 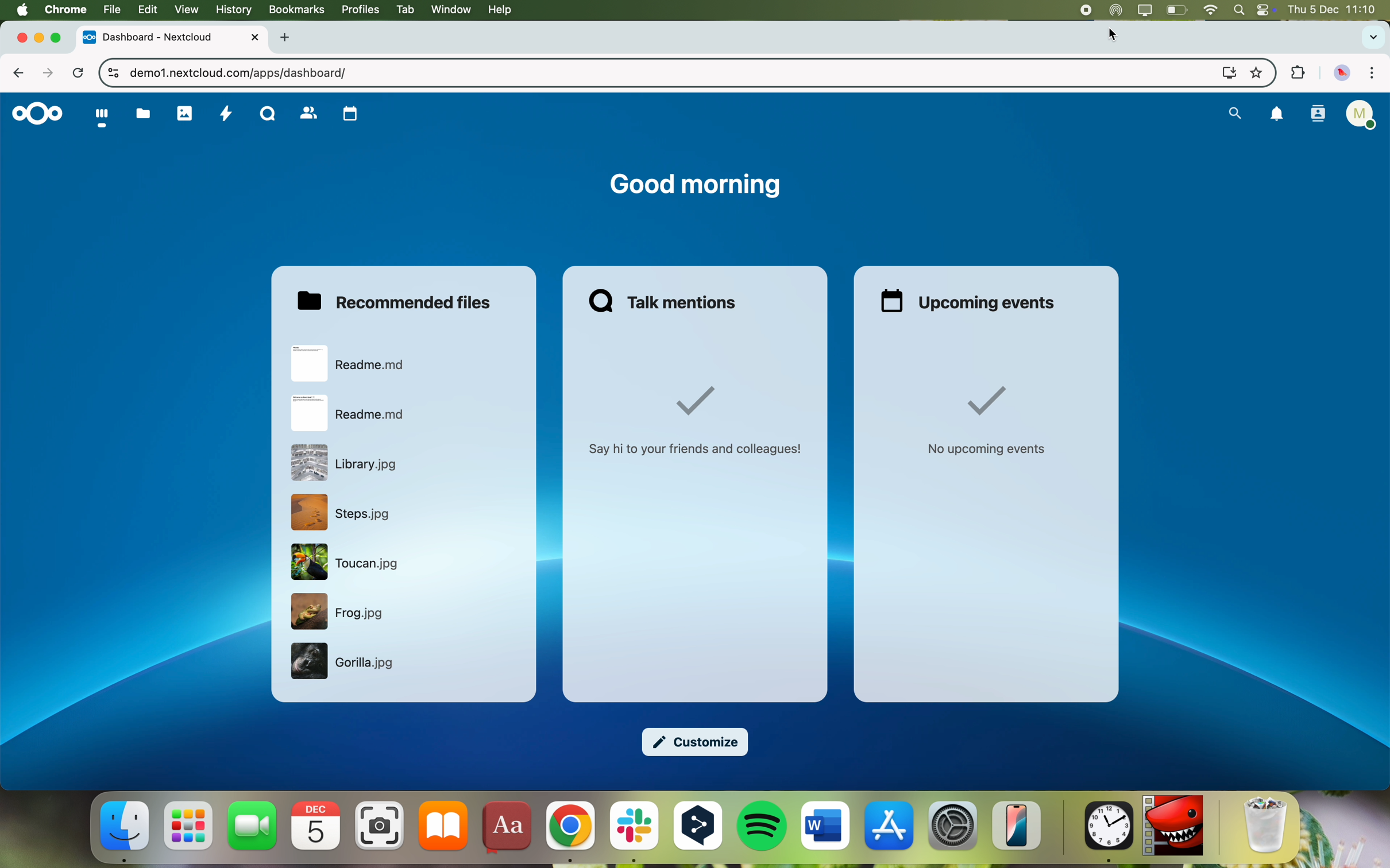 What do you see at coordinates (1372, 74) in the screenshot?
I see `customize and control Google Chrome` at bounding box center [1372, 74].